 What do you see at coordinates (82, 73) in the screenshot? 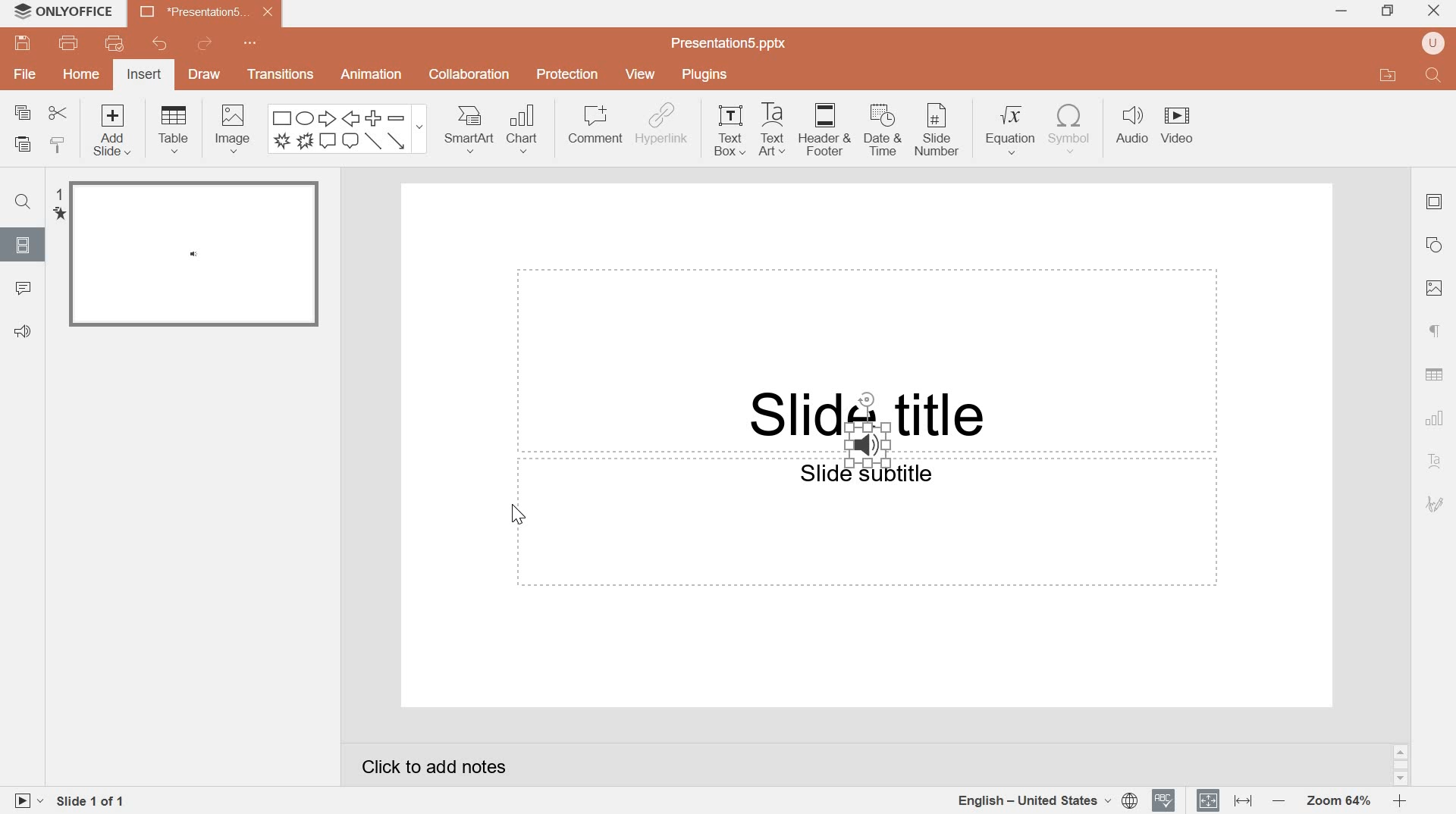
I see `Home` at bounding box center [82, 73].